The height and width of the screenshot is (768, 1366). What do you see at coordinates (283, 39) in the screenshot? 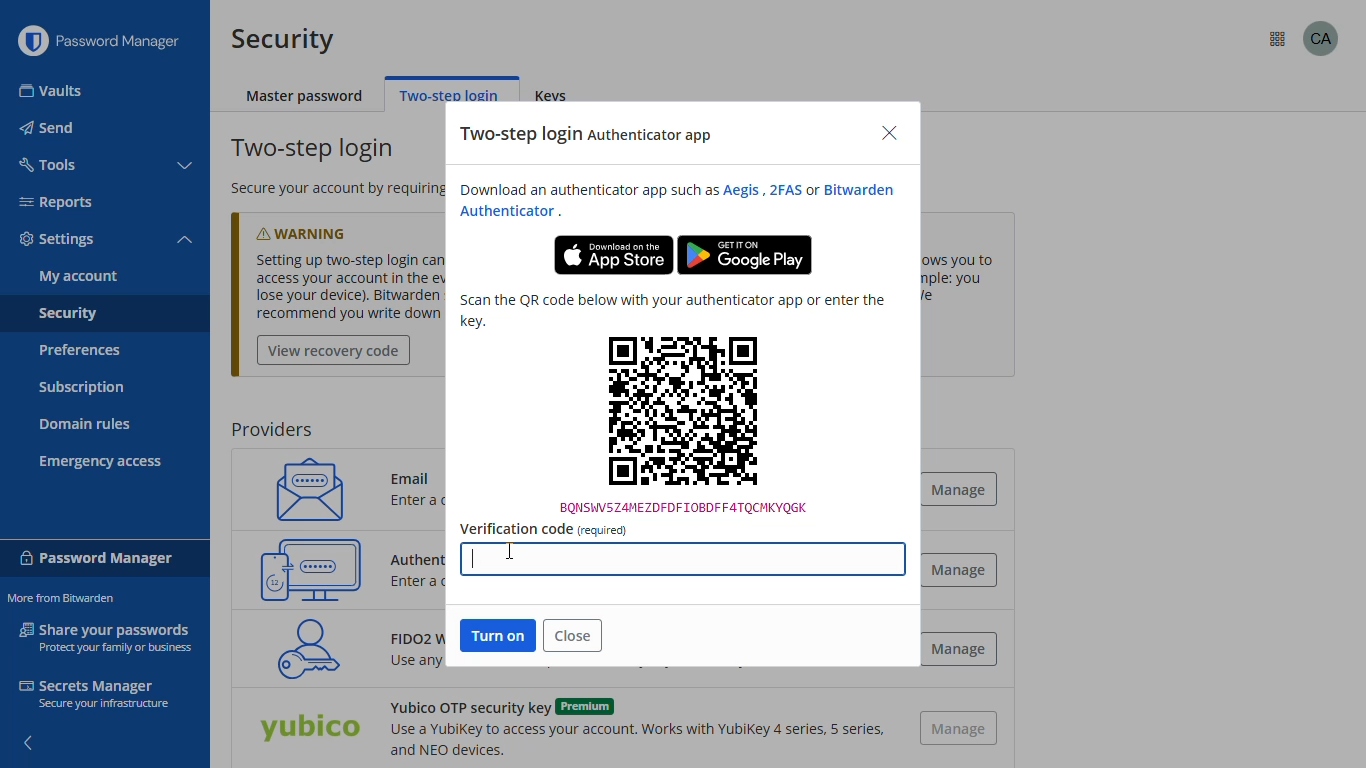
I see `security` at bounding box center [283, 39].